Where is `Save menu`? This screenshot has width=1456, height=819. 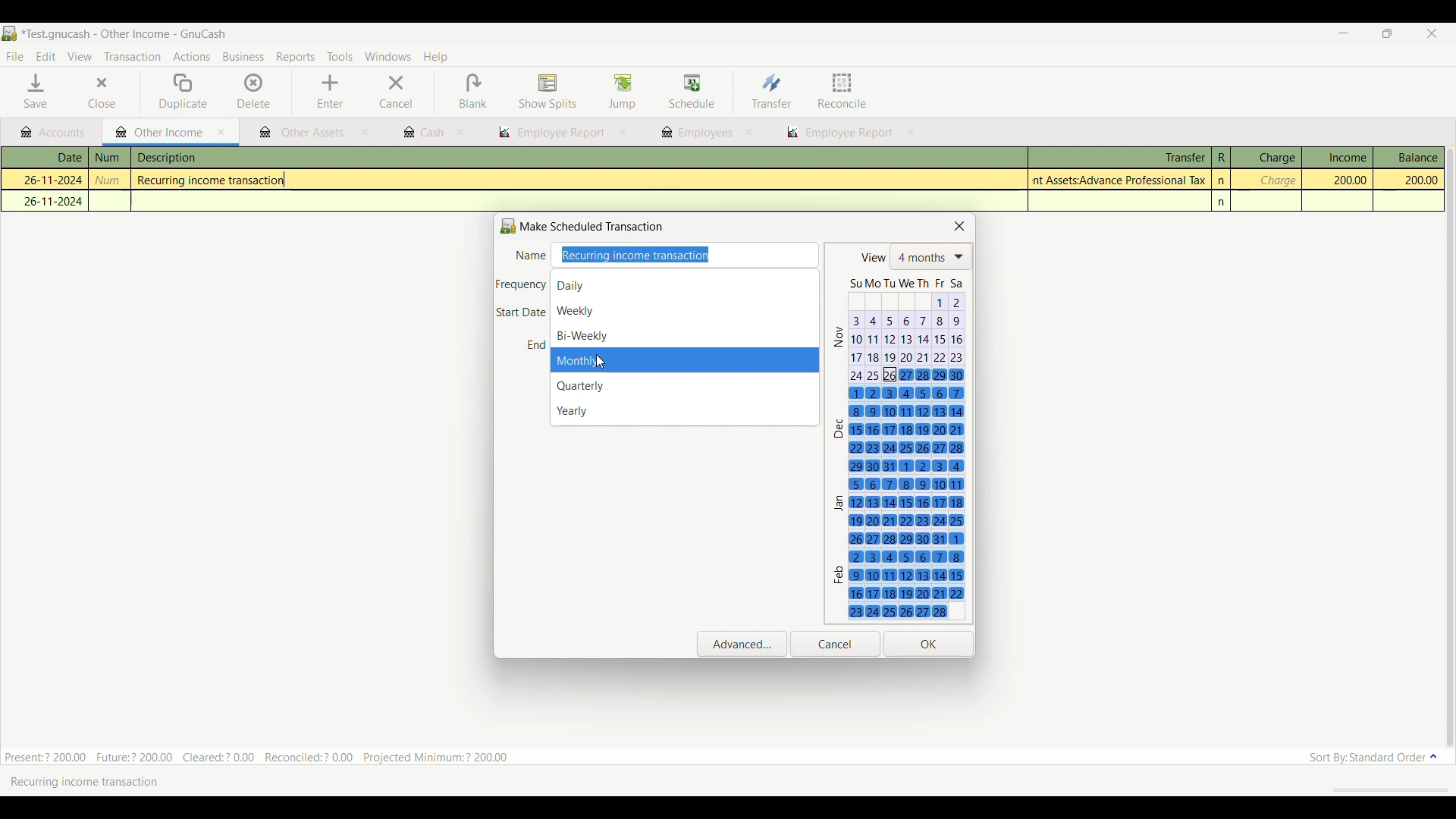 Save menu is located at coordinates (37, 91).